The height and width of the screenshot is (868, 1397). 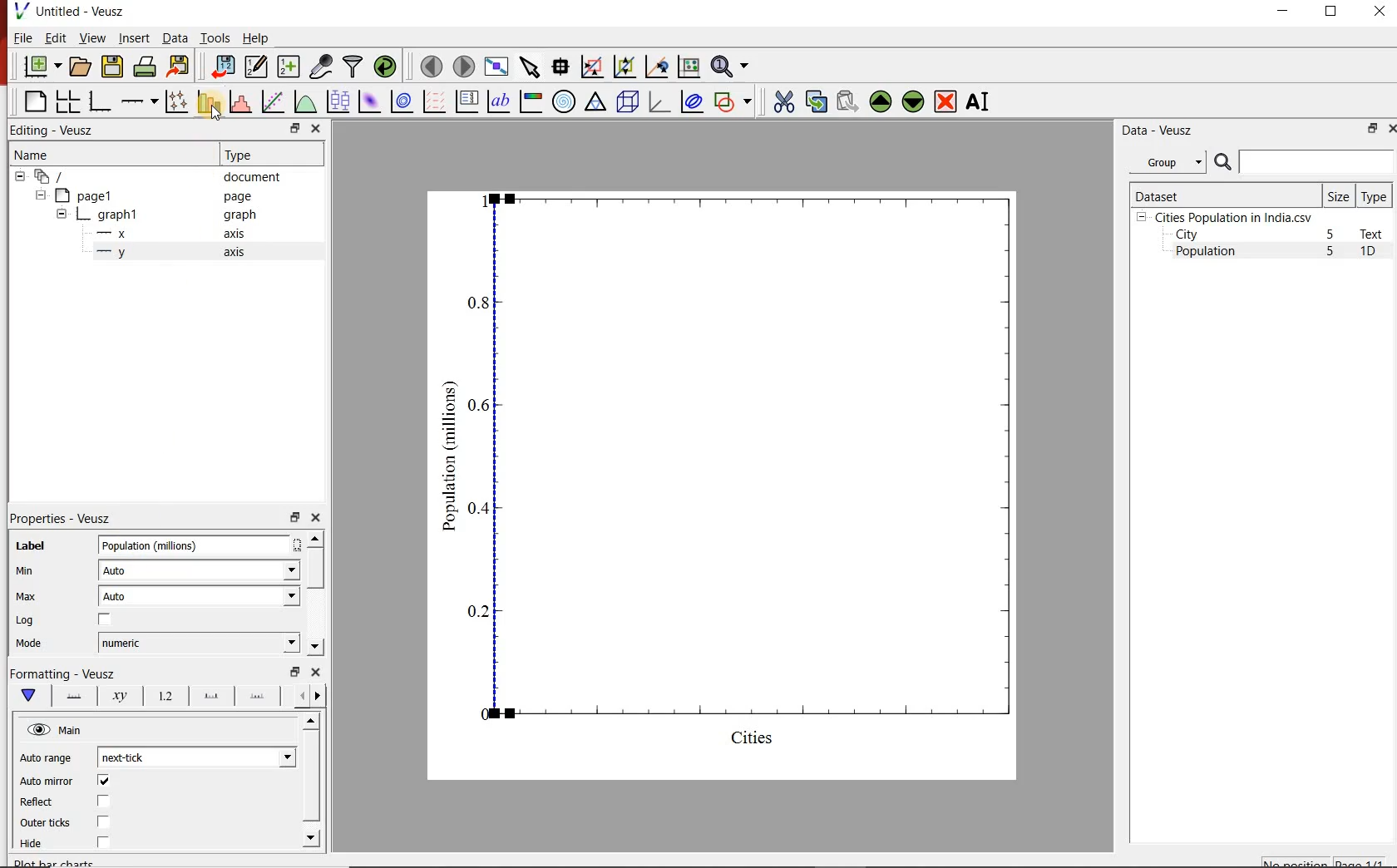 I want to click on restore, so click(x=294, y=516).